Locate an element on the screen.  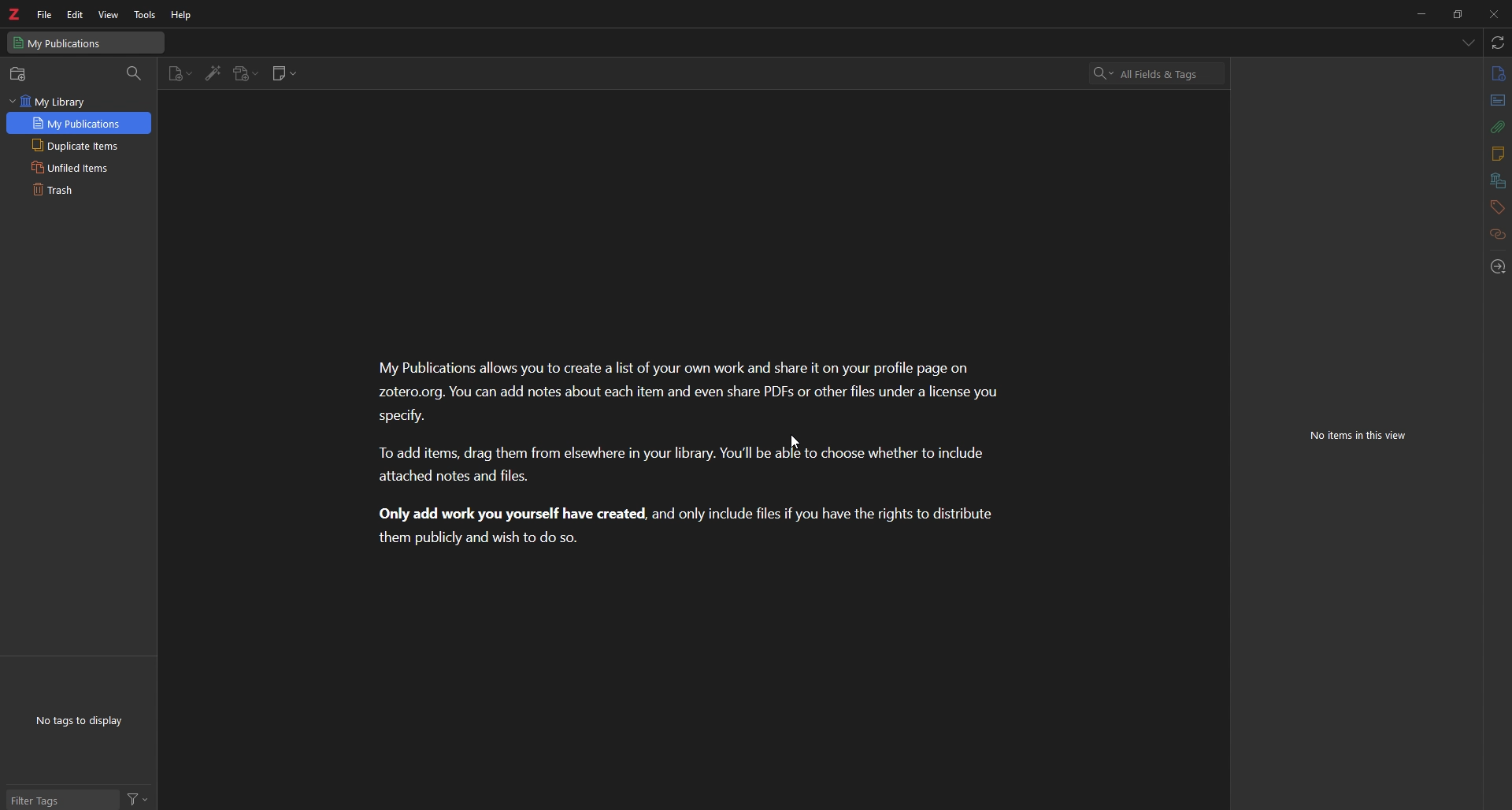
Help is located at coordinates (176, 14).